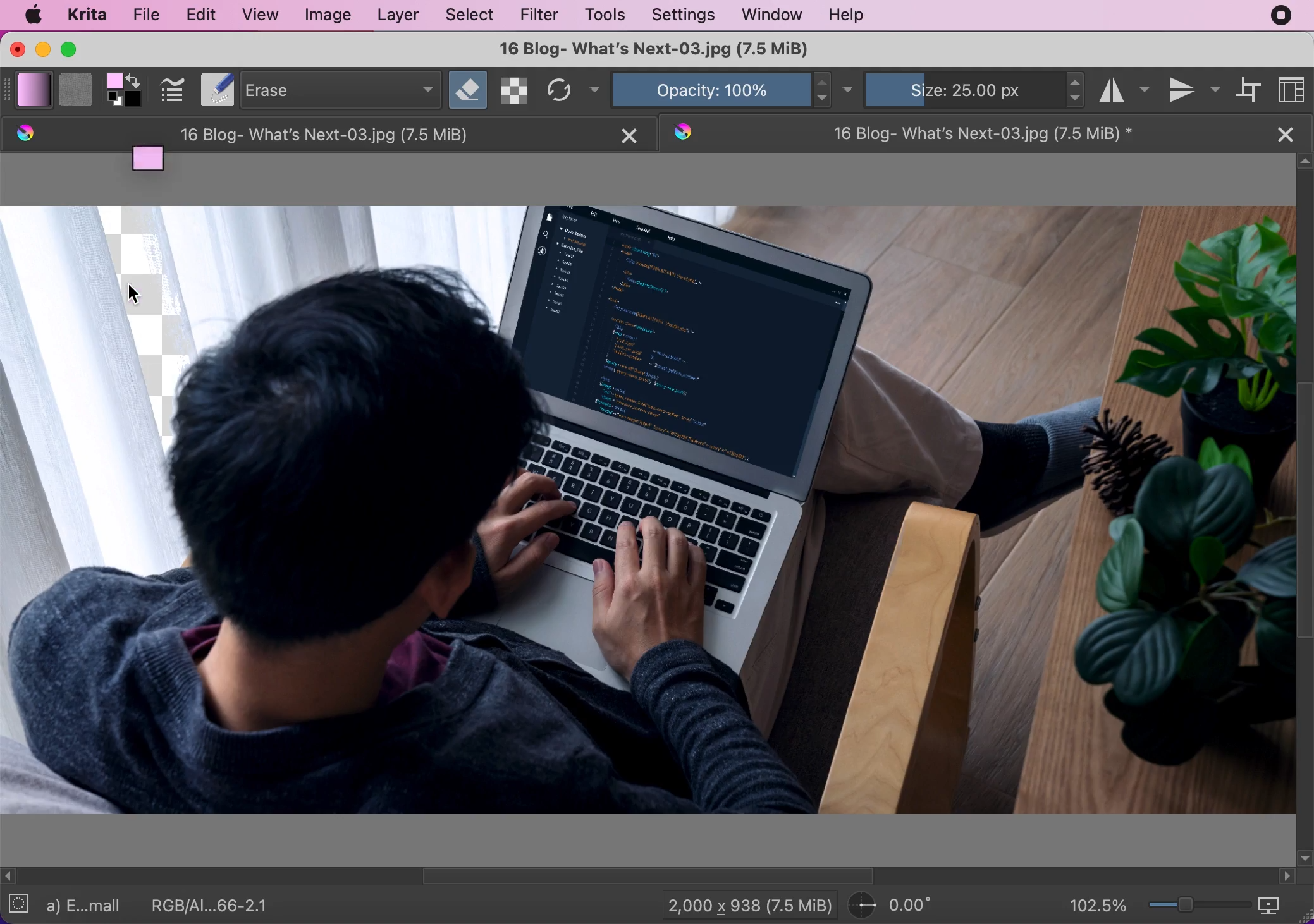 The width and height of the screenshot is (1314, 924). Describe the element at coordinates (35, 90) in the screenshot. I see `fill gradients` at that location.